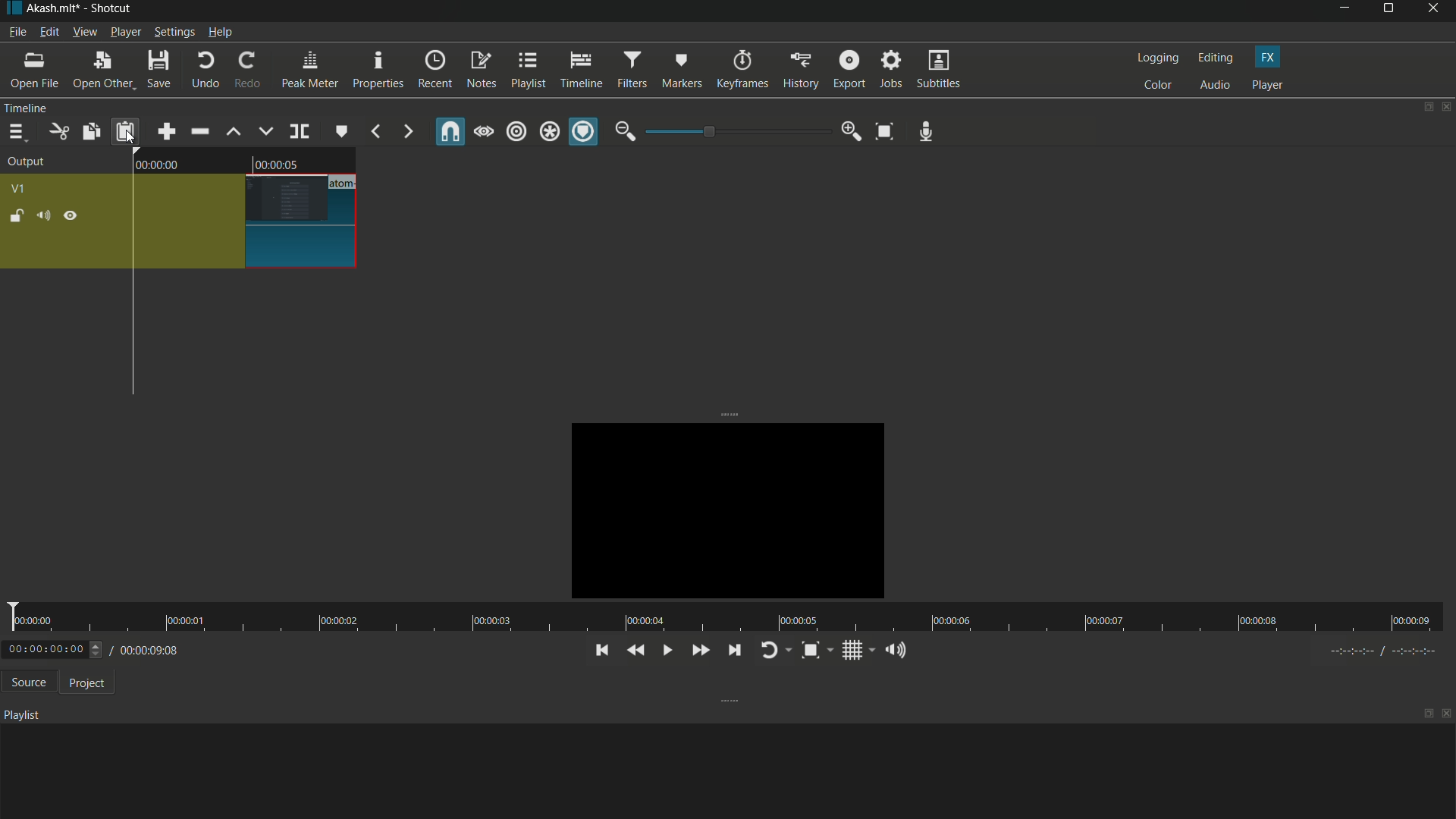 The height and width of the screenshot is (819, 1456). Describe the element at coordinates (298, 132) in the screenshot. I see `split as playhead` at that location.